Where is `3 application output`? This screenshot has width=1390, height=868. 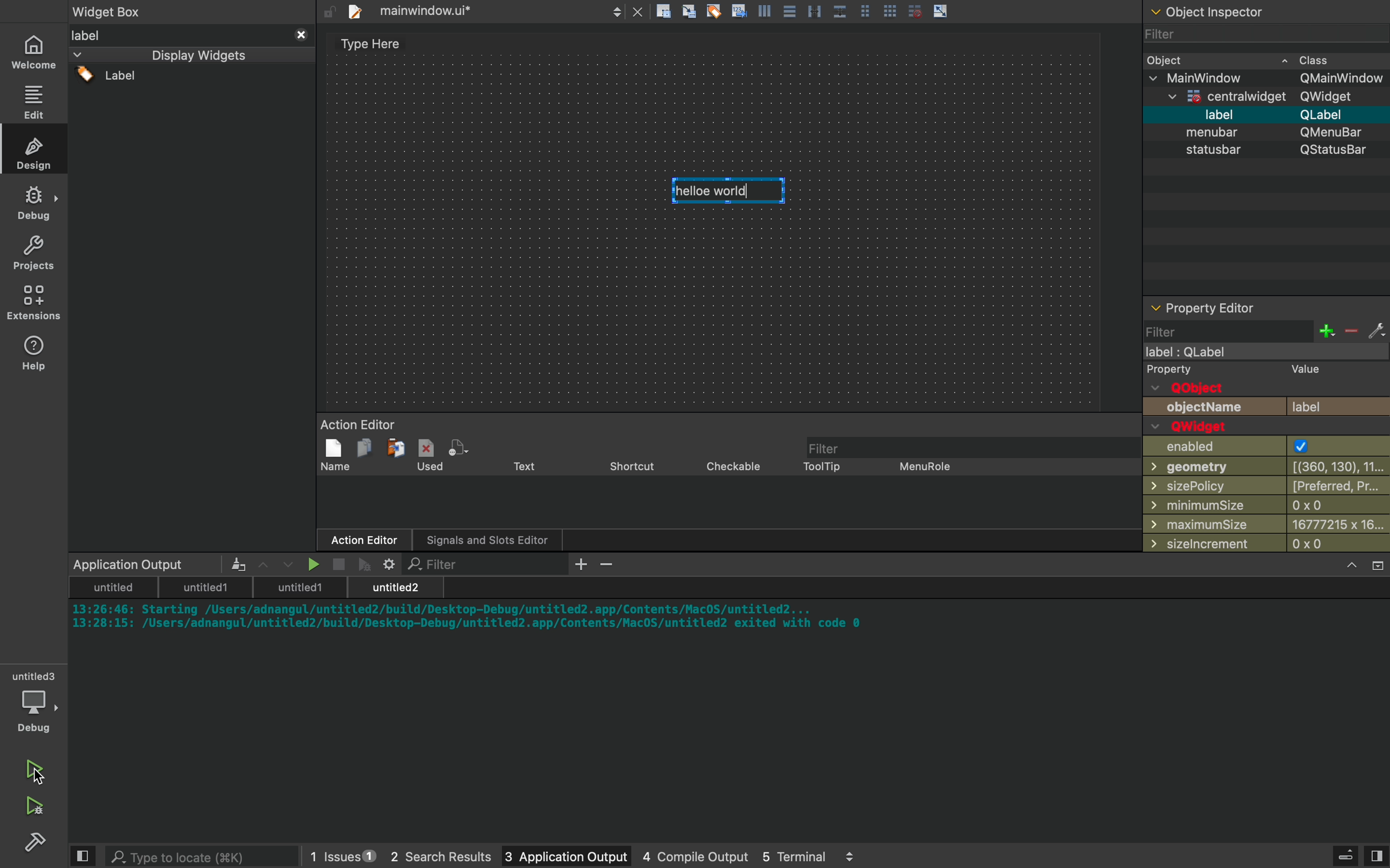
3 application output is located at coordinates (550, 857).